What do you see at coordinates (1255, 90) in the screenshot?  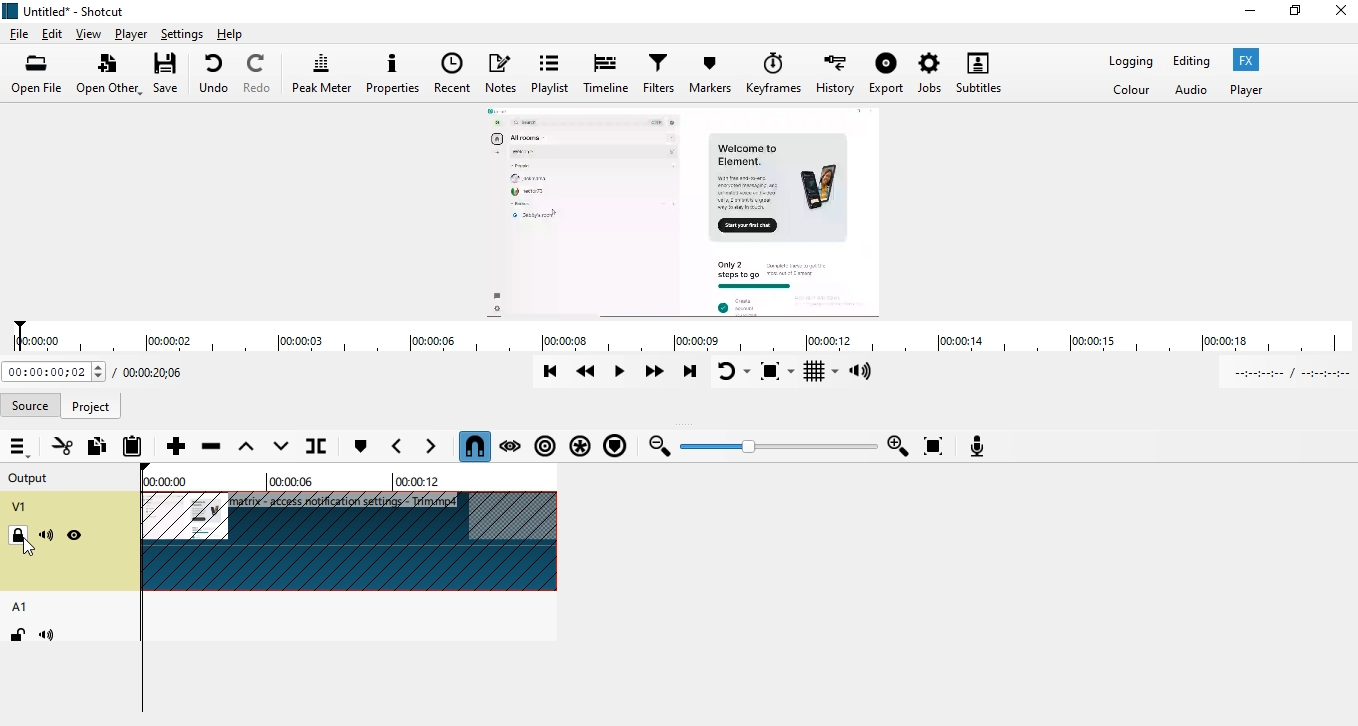 I see `player` at bounding box center [1255, 90].